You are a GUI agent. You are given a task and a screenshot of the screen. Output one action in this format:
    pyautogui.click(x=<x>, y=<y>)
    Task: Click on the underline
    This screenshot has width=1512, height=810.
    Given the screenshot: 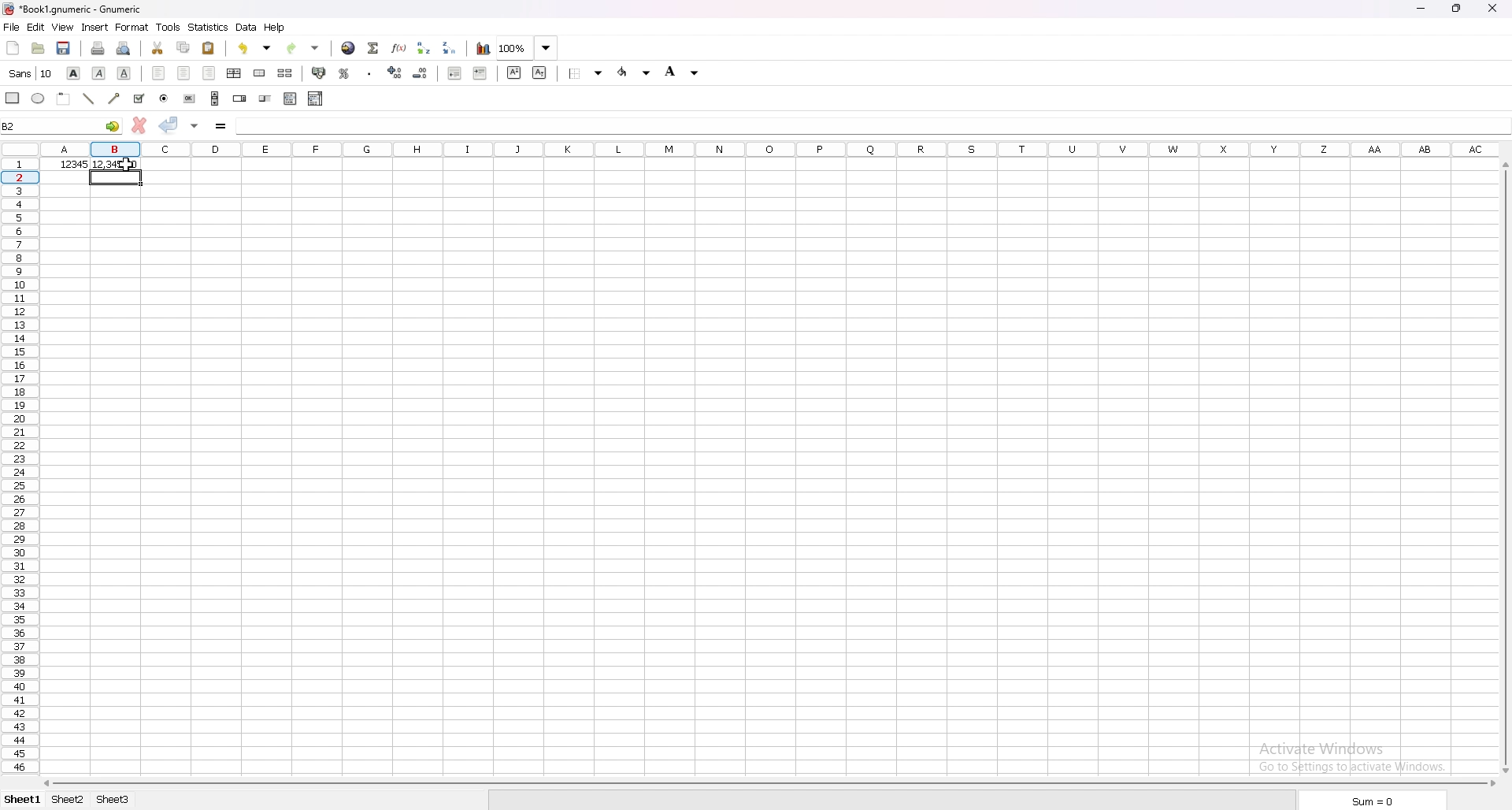 What is the action you would take?
    pyautogui.click(x=124, y=74)
    